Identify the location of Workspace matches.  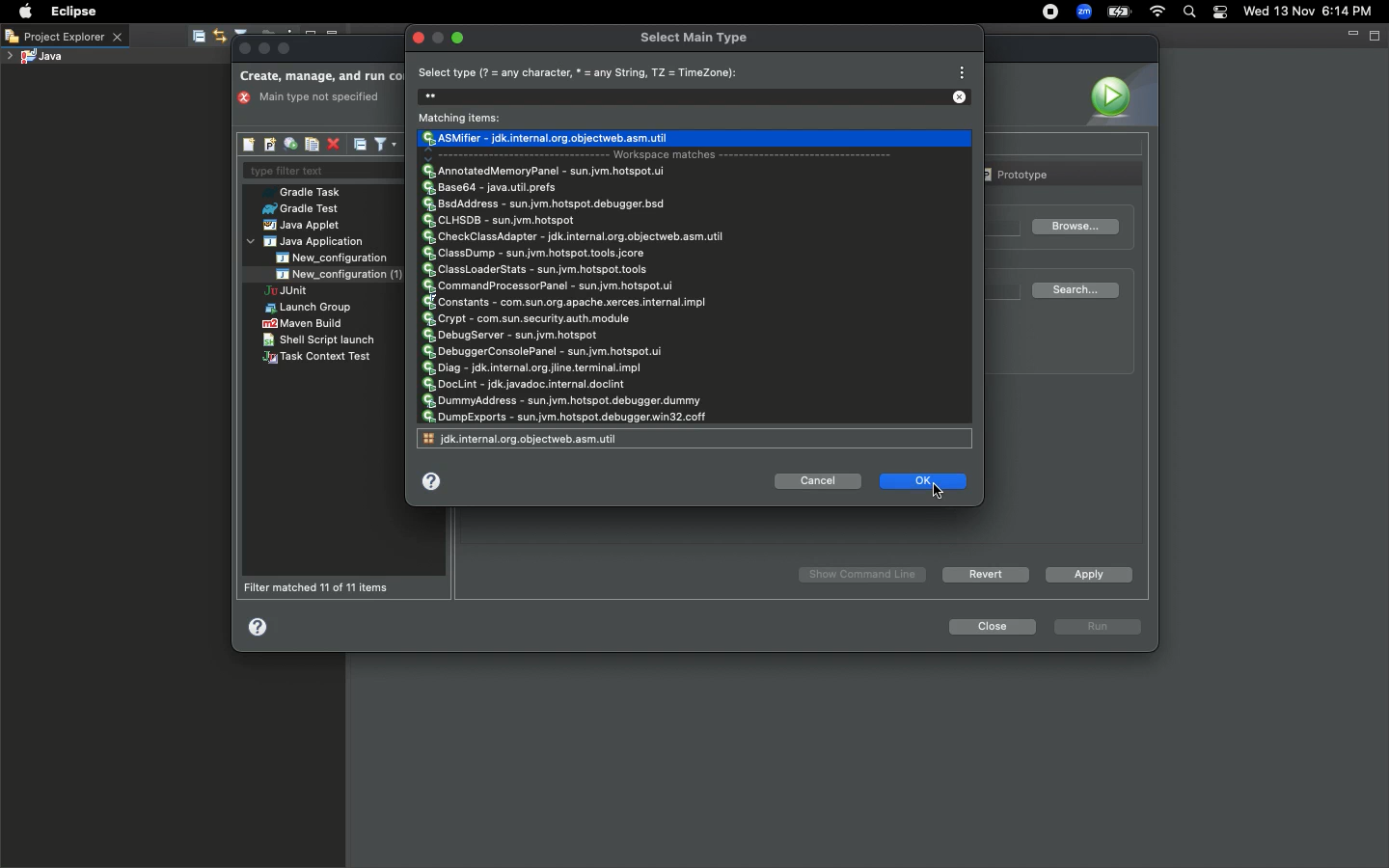
(668, 155).